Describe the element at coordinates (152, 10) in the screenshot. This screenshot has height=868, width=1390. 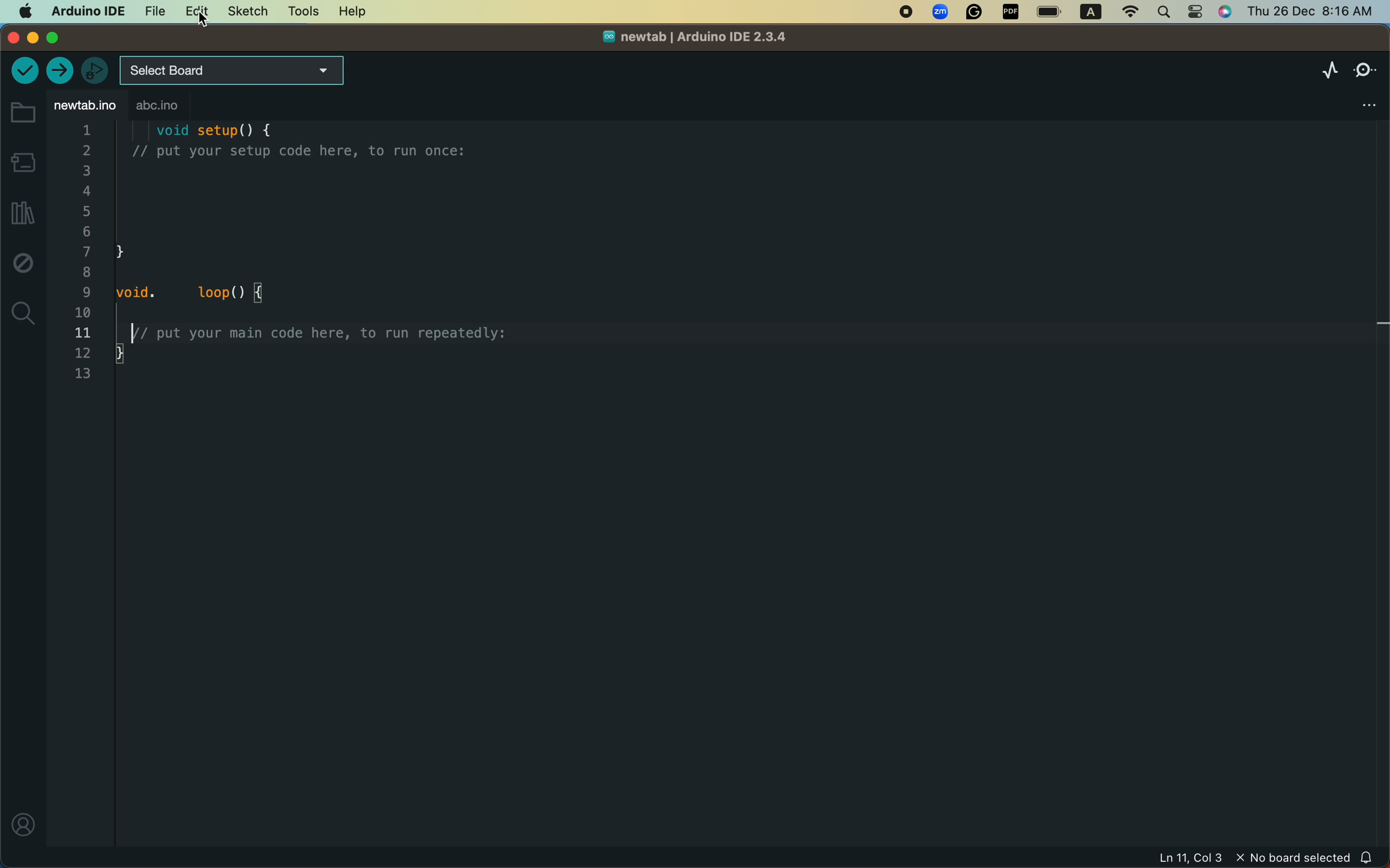
I see `file` at that location.